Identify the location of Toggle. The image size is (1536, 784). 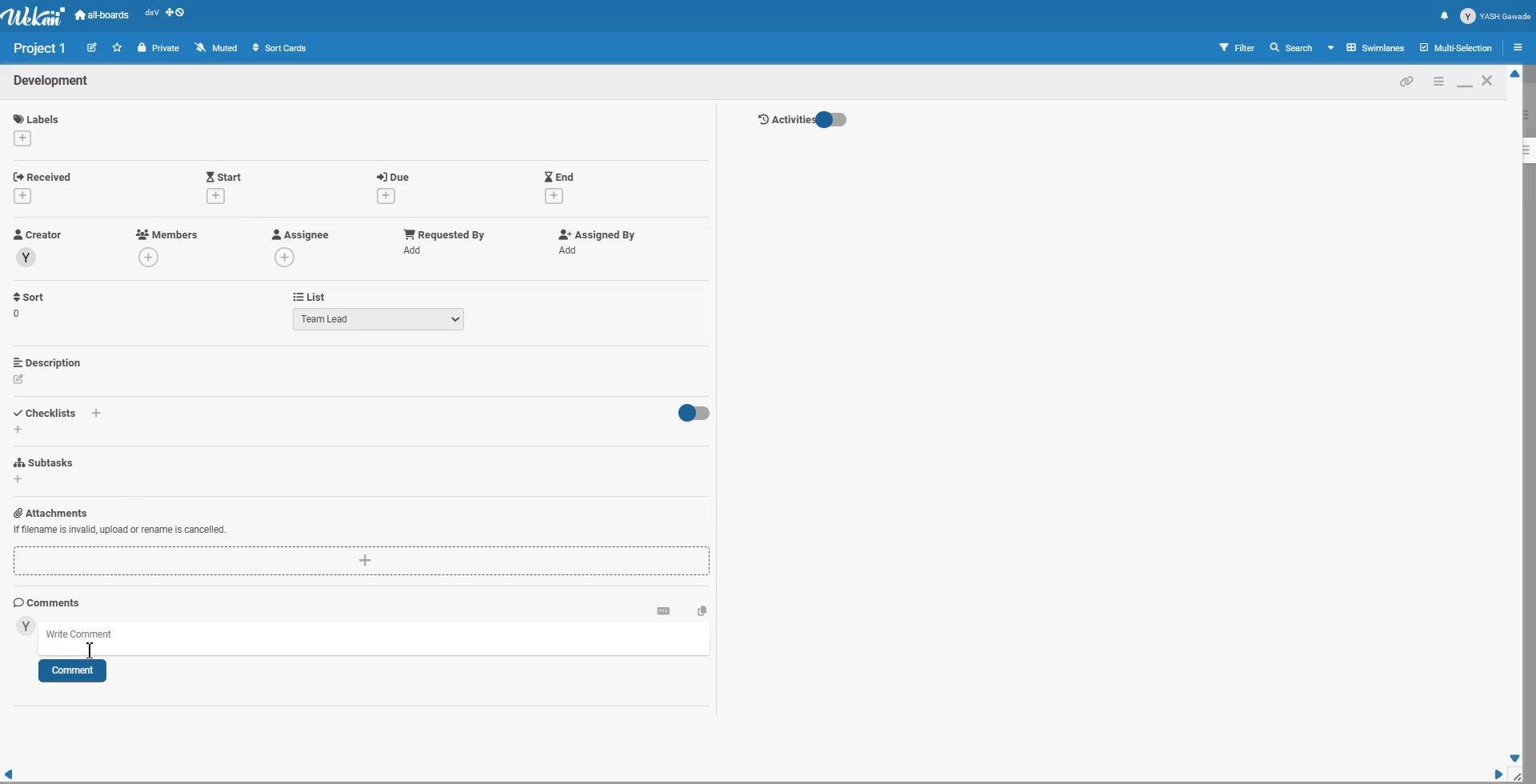
(692, 414).